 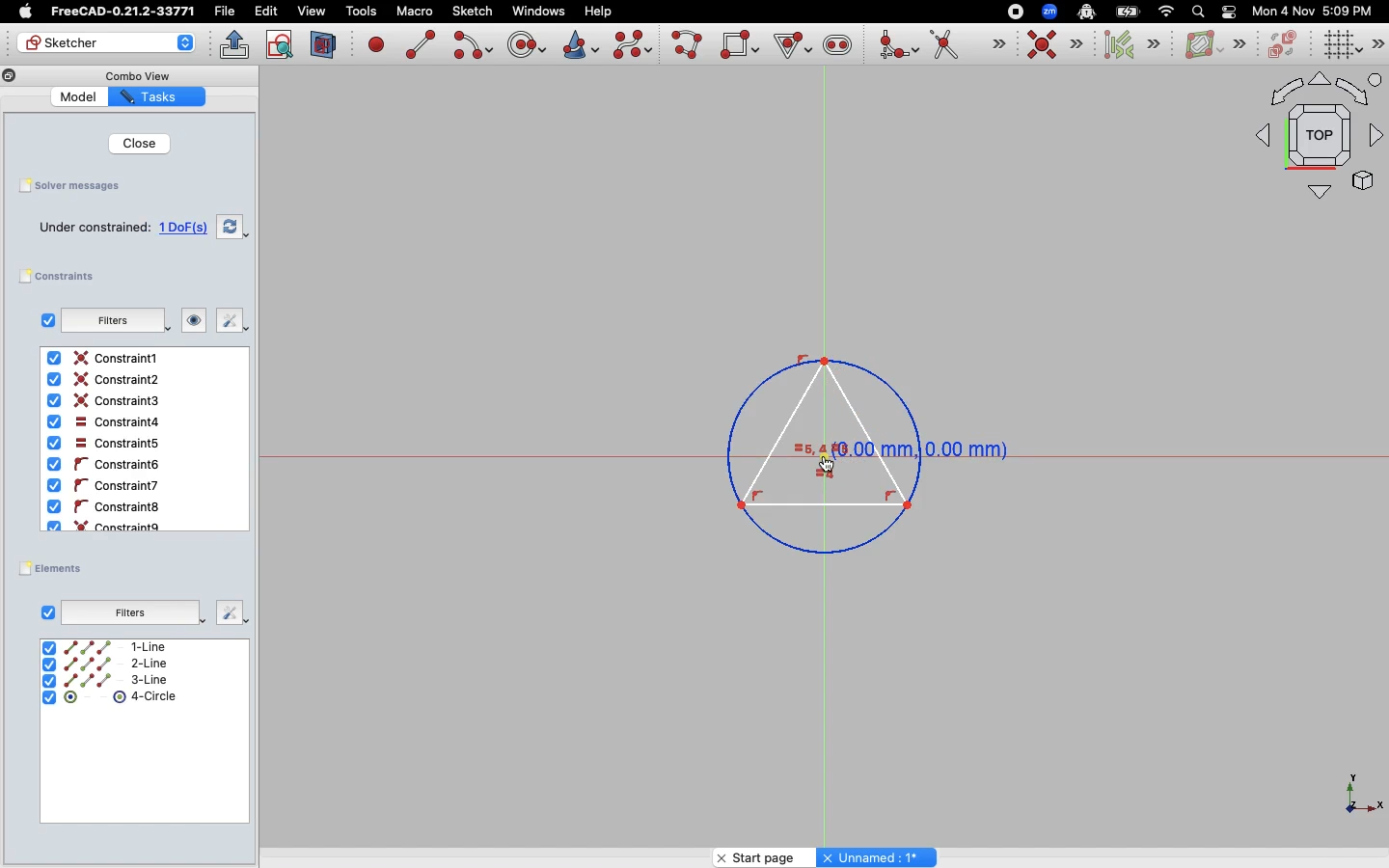 I want to click on Apple Logo, so click(x=23, y=12).